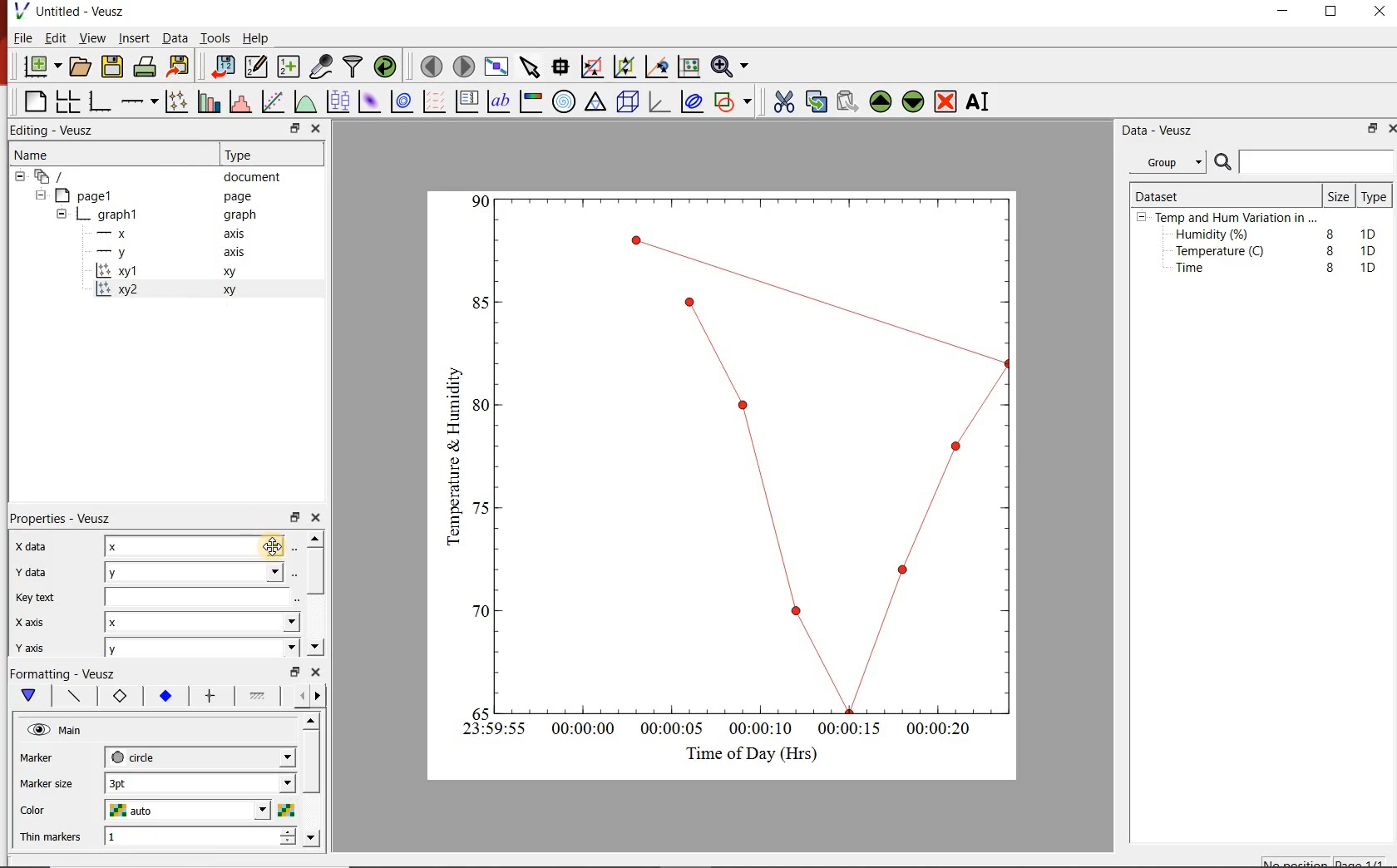 Image resolution: width=1397 pixels, height=868 pixels. I want to click on Marker size, so click(54, 782).